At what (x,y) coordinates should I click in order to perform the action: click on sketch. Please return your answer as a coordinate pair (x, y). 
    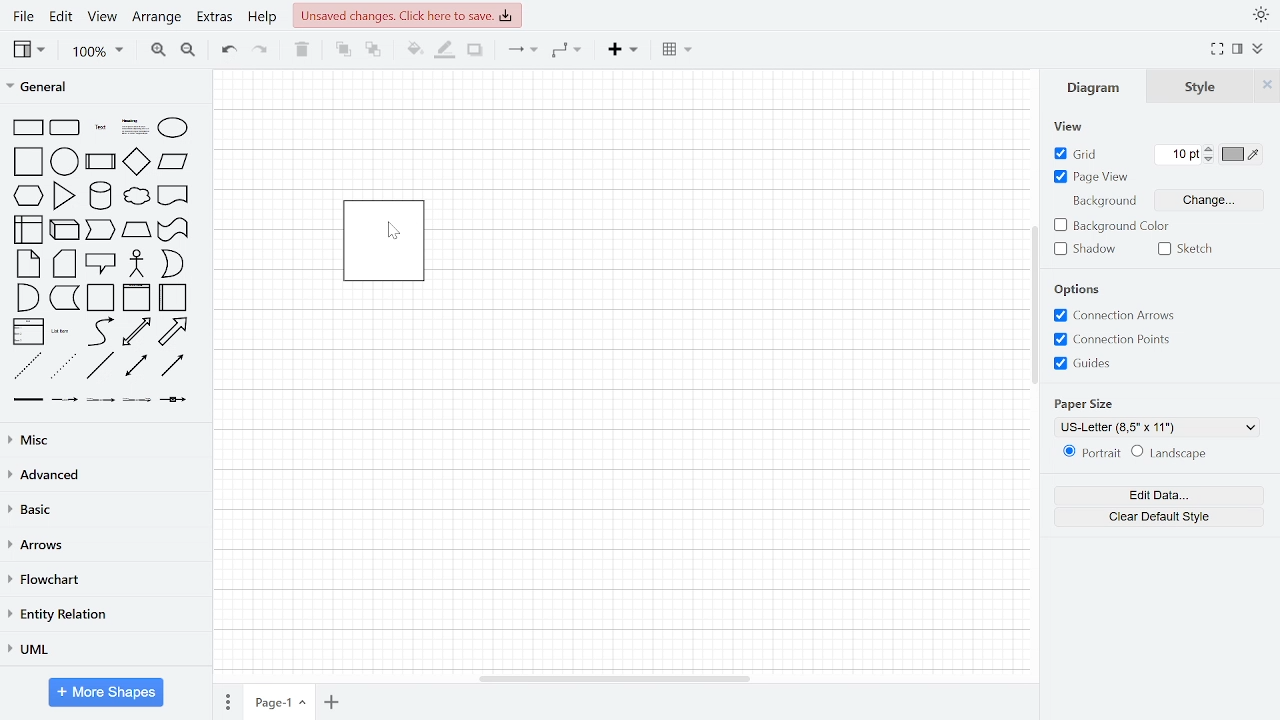
    Looking at the image, I should click on (1194, 249).